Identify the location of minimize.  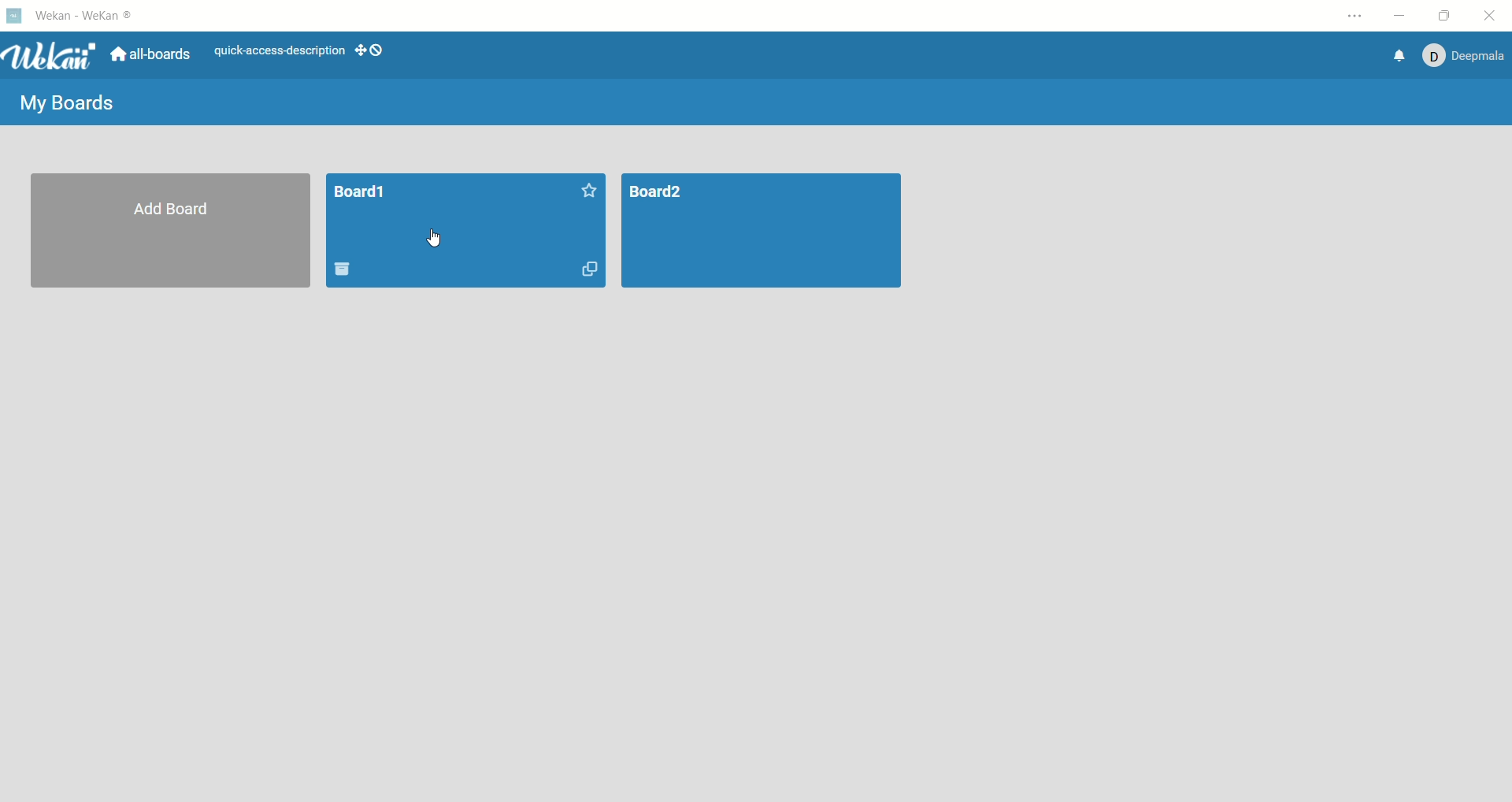
(1398, 14).